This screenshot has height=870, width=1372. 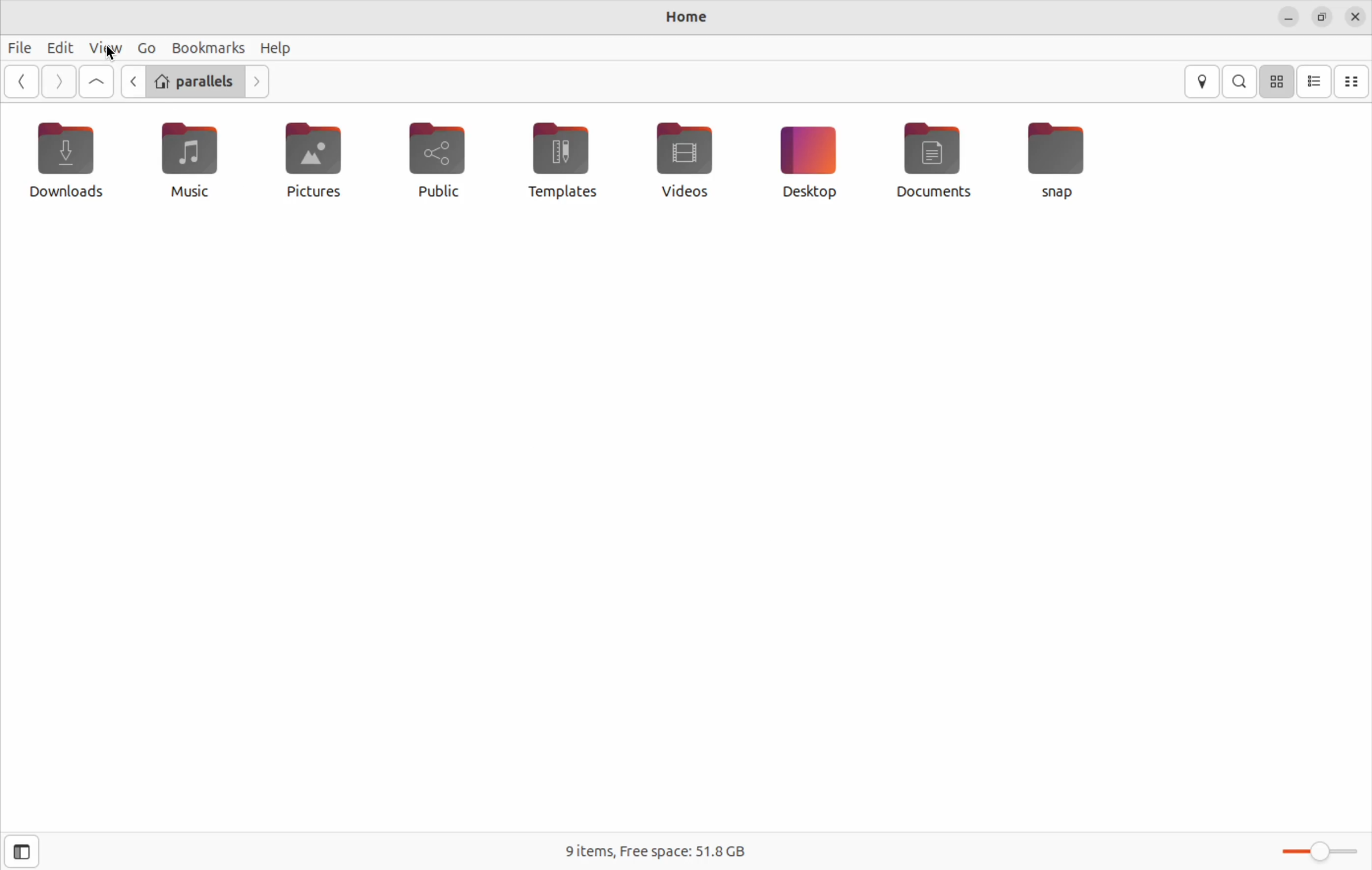 I want to click on open side bar, so click(x=22, y=852).